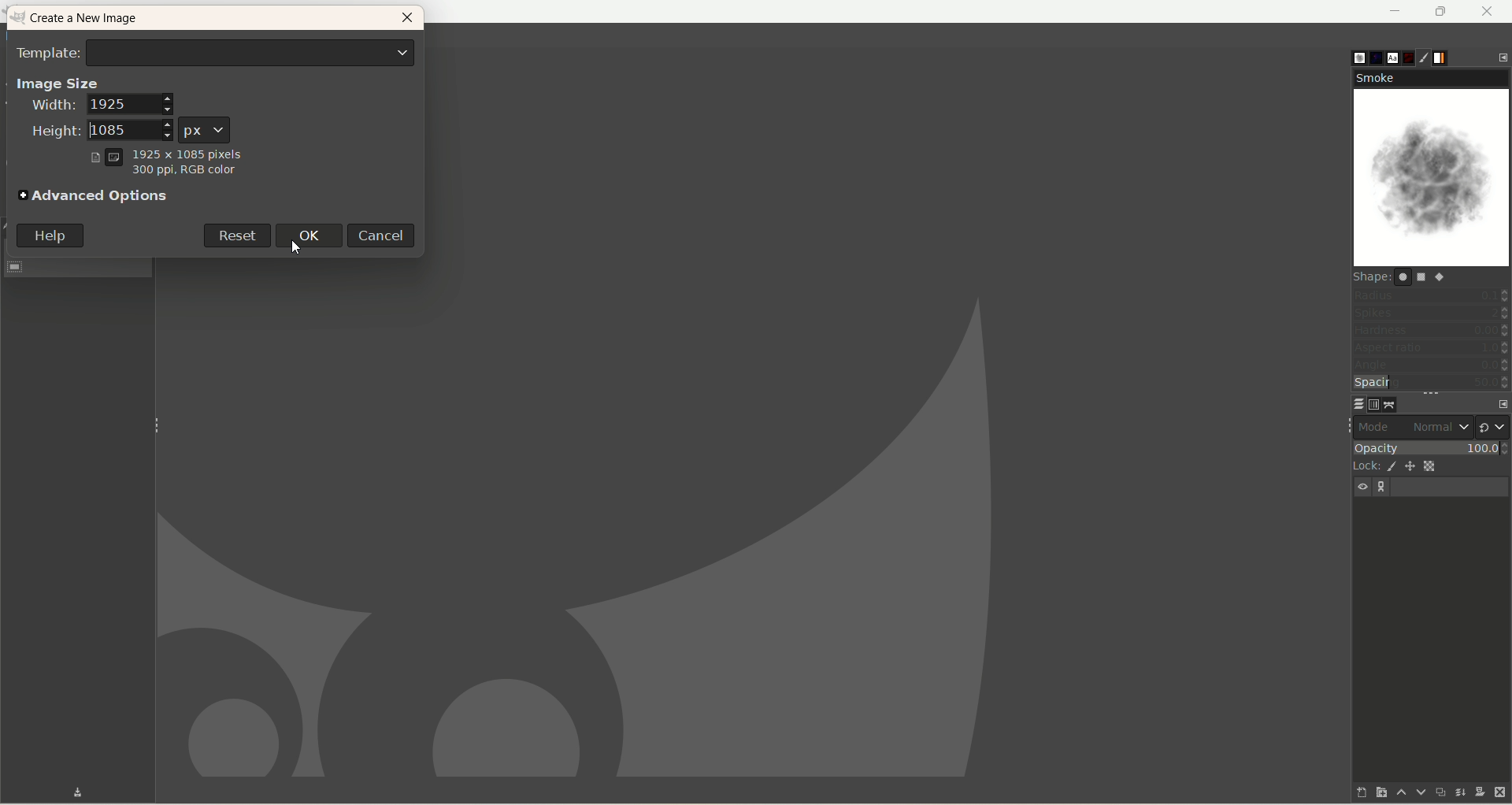 The height and width of the screenshot is (805, 1512). What do you see at coordinates (1431, 332) in the screenshot?
I see `hardness` at bounding box center [1431, 332].